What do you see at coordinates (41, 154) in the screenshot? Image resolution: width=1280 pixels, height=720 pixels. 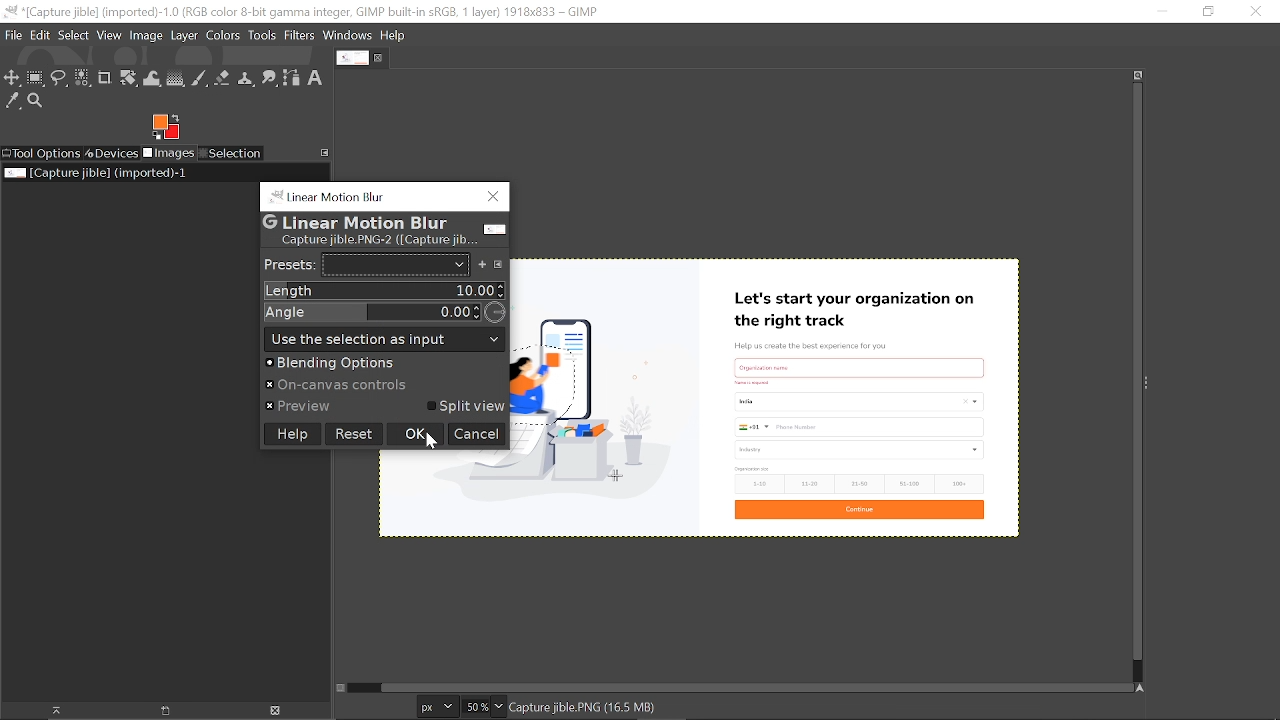 I see `Tool options` at bounding box center [41, 154].